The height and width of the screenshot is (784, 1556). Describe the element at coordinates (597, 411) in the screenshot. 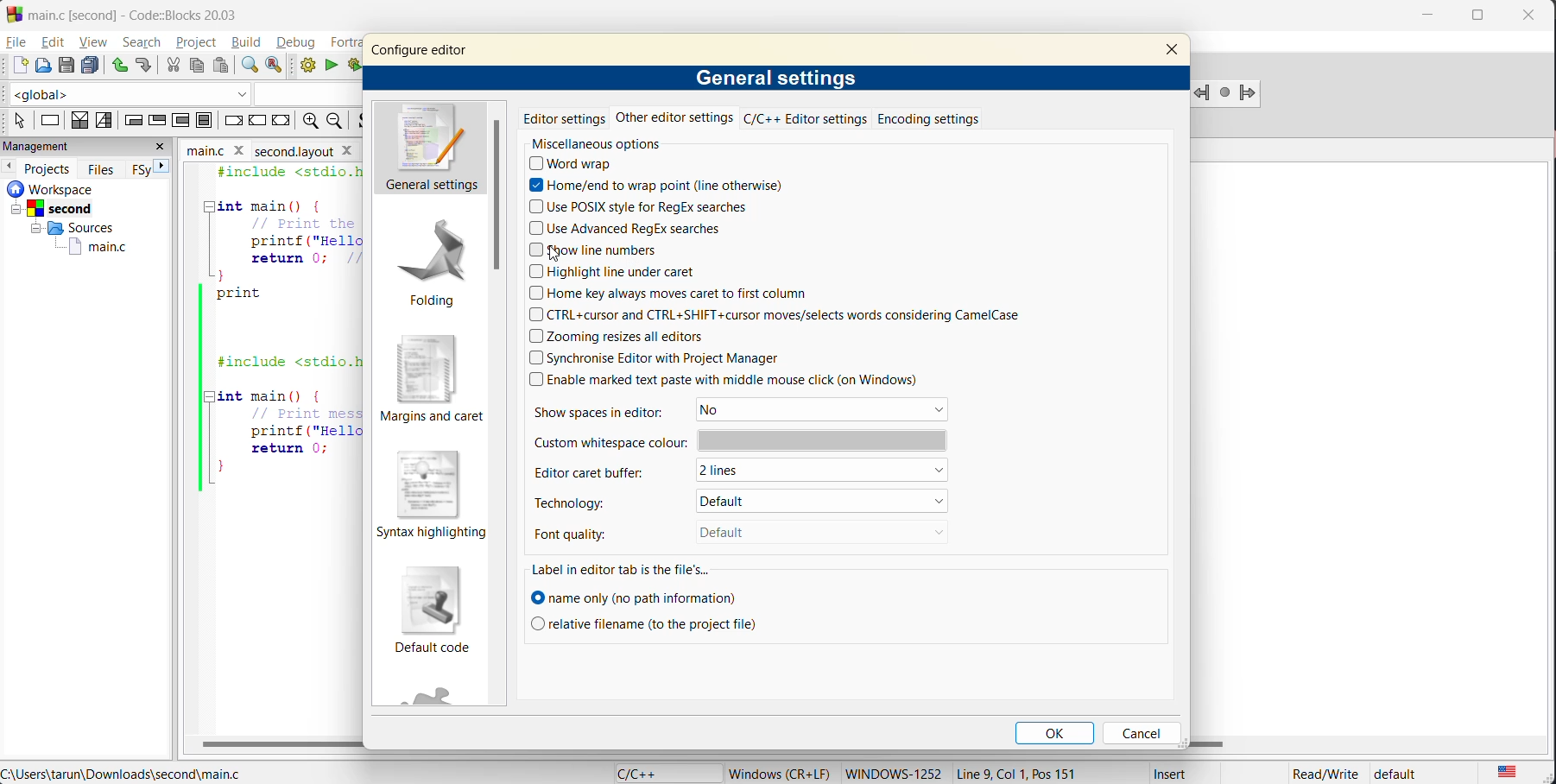

I see `show spaces in editor` at that location.